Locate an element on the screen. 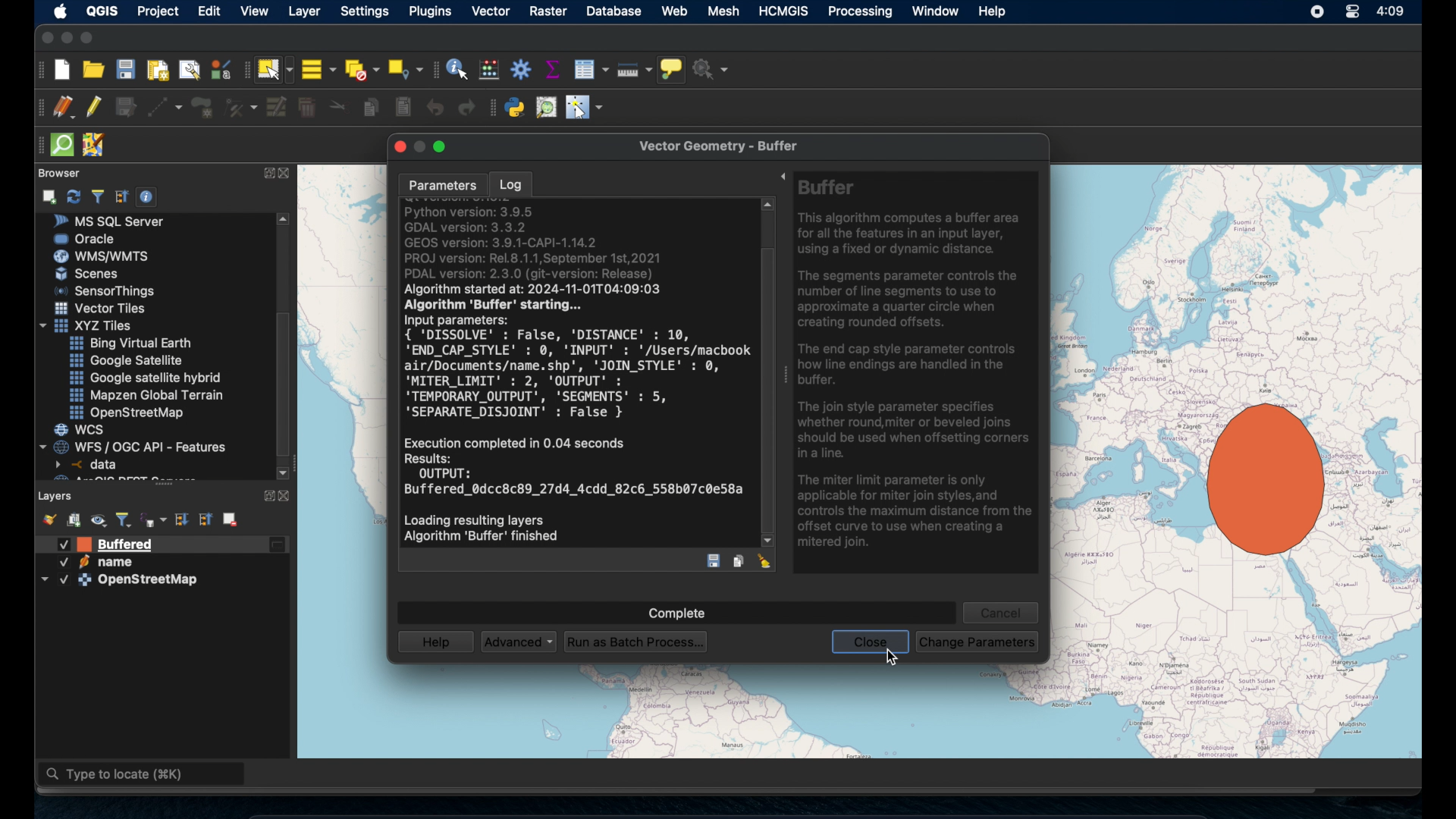 The height and width of the screenshot is (819, 1456). collapse all is located at coordinates (207, 519).